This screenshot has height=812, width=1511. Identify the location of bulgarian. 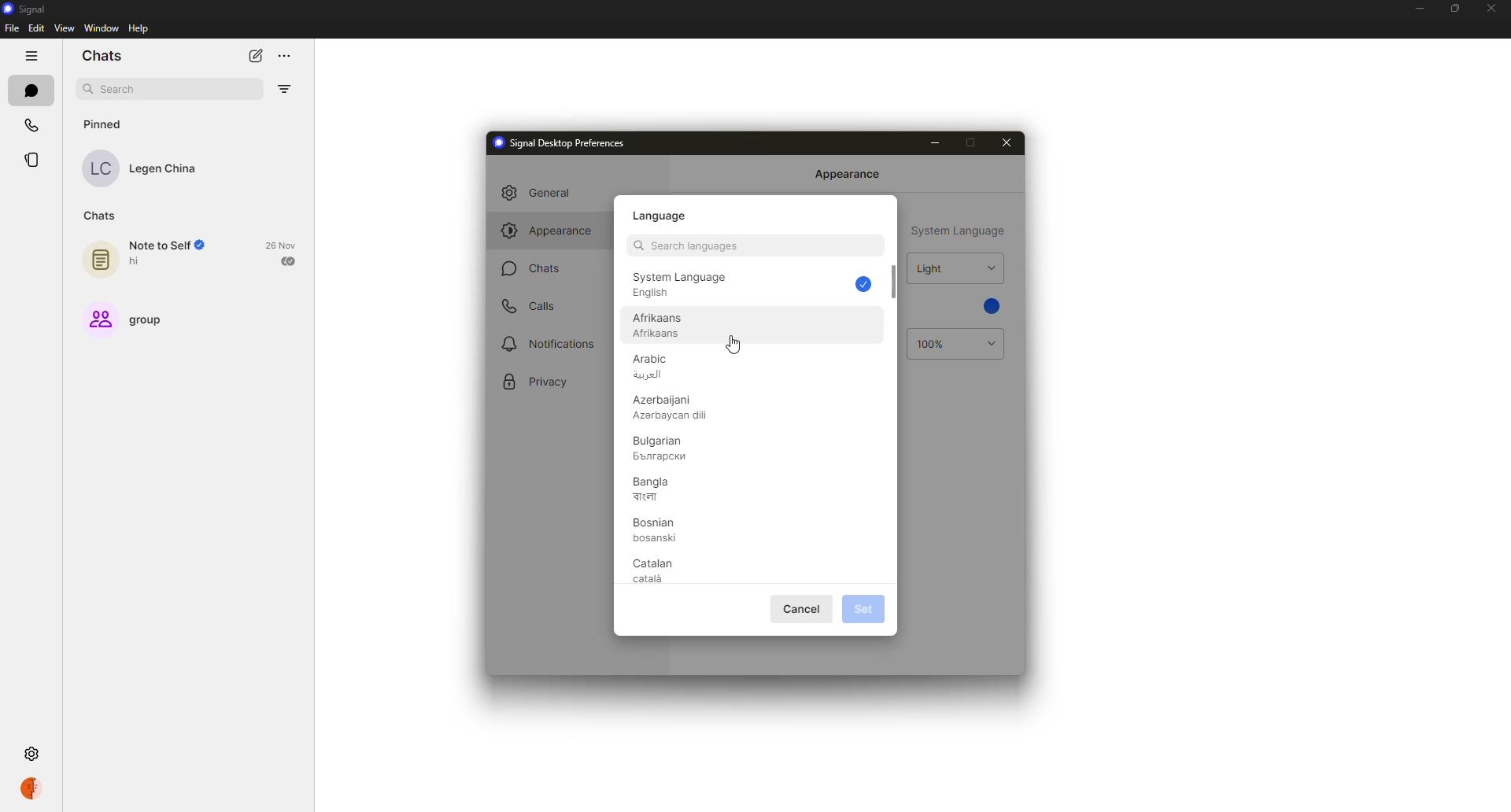
(663, 448).